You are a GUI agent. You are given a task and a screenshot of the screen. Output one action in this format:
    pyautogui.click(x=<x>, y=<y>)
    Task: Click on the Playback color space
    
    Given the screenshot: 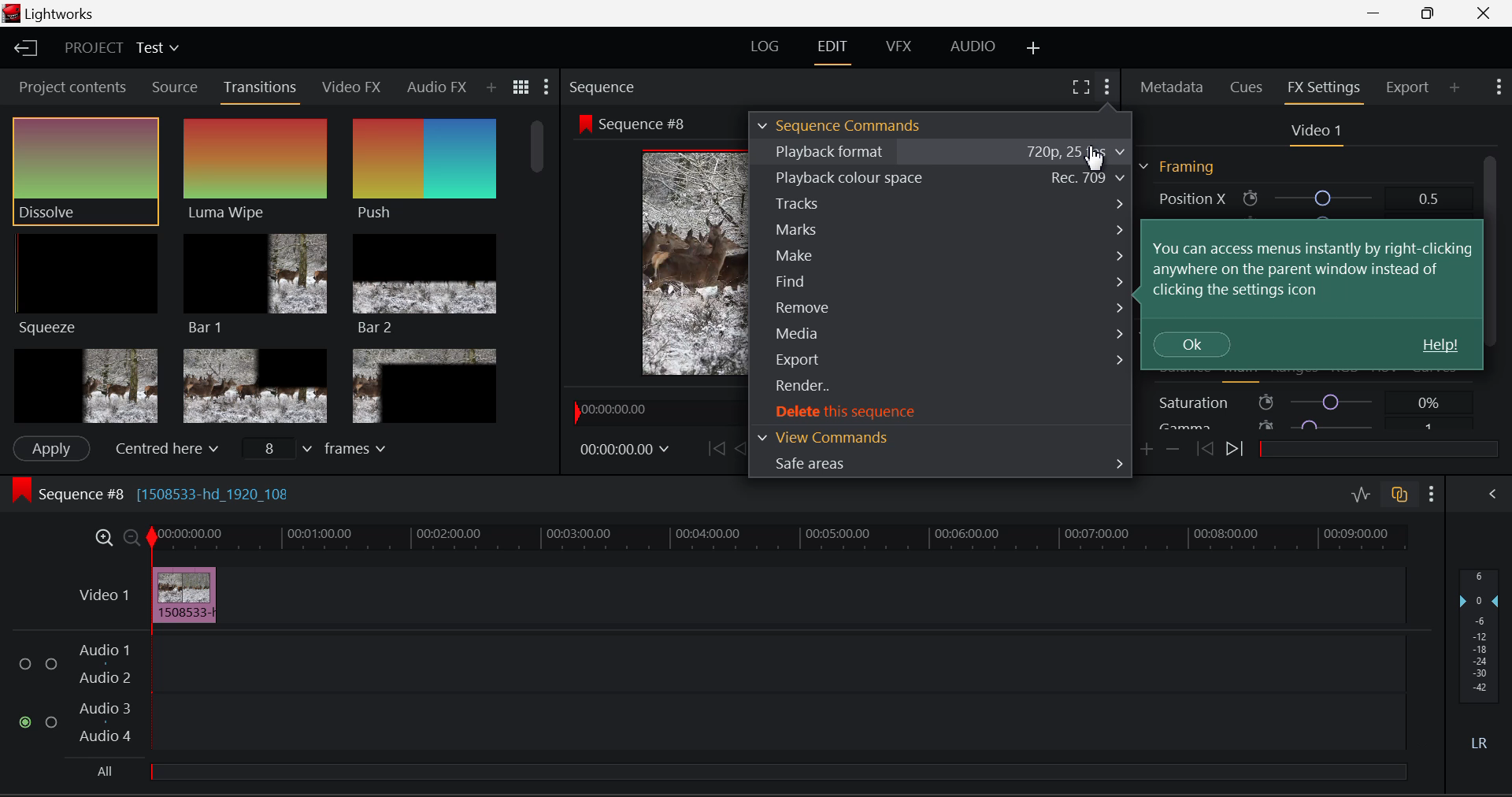 What is the action you would take?
    pyautogui.click(x=942, y=176)
    